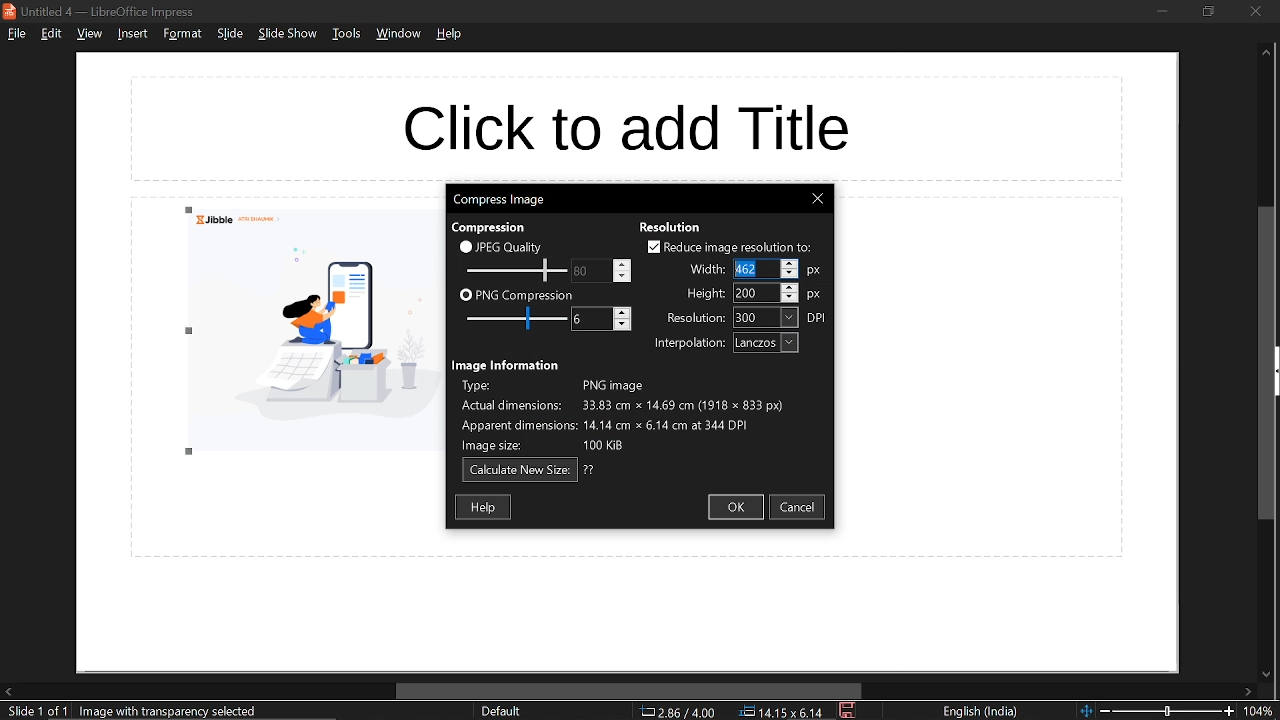 The height and width of the screenshot is (720, 1280). What do you see at coordinates (789, 262) in the screenshot?
I see `increase width` at bounding box center [789, 262].